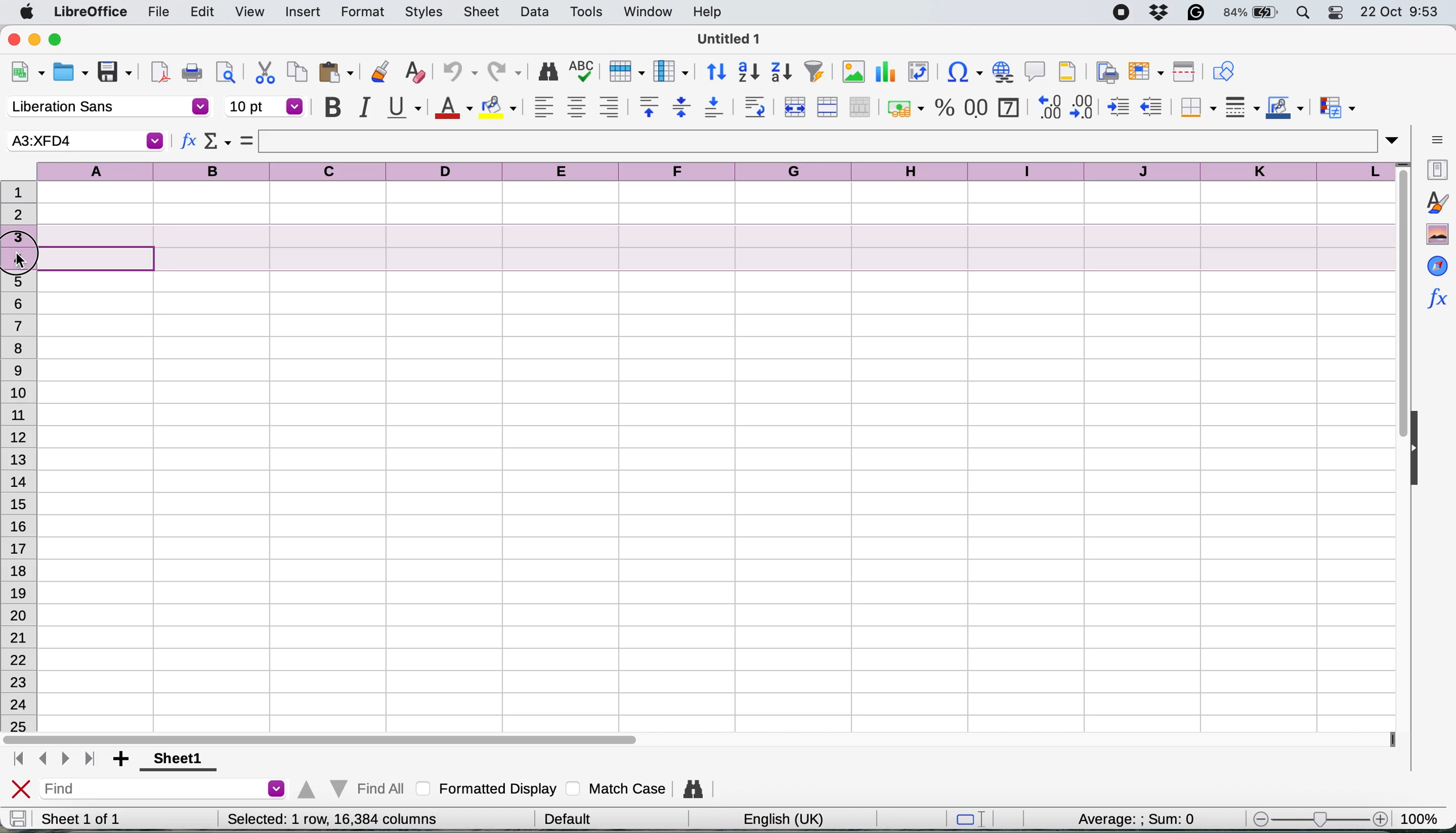 The height and width of the screenshot is (833, 1456). Describe the element at coordinates (572, 817) in the screenshot. I see `default` at that location.